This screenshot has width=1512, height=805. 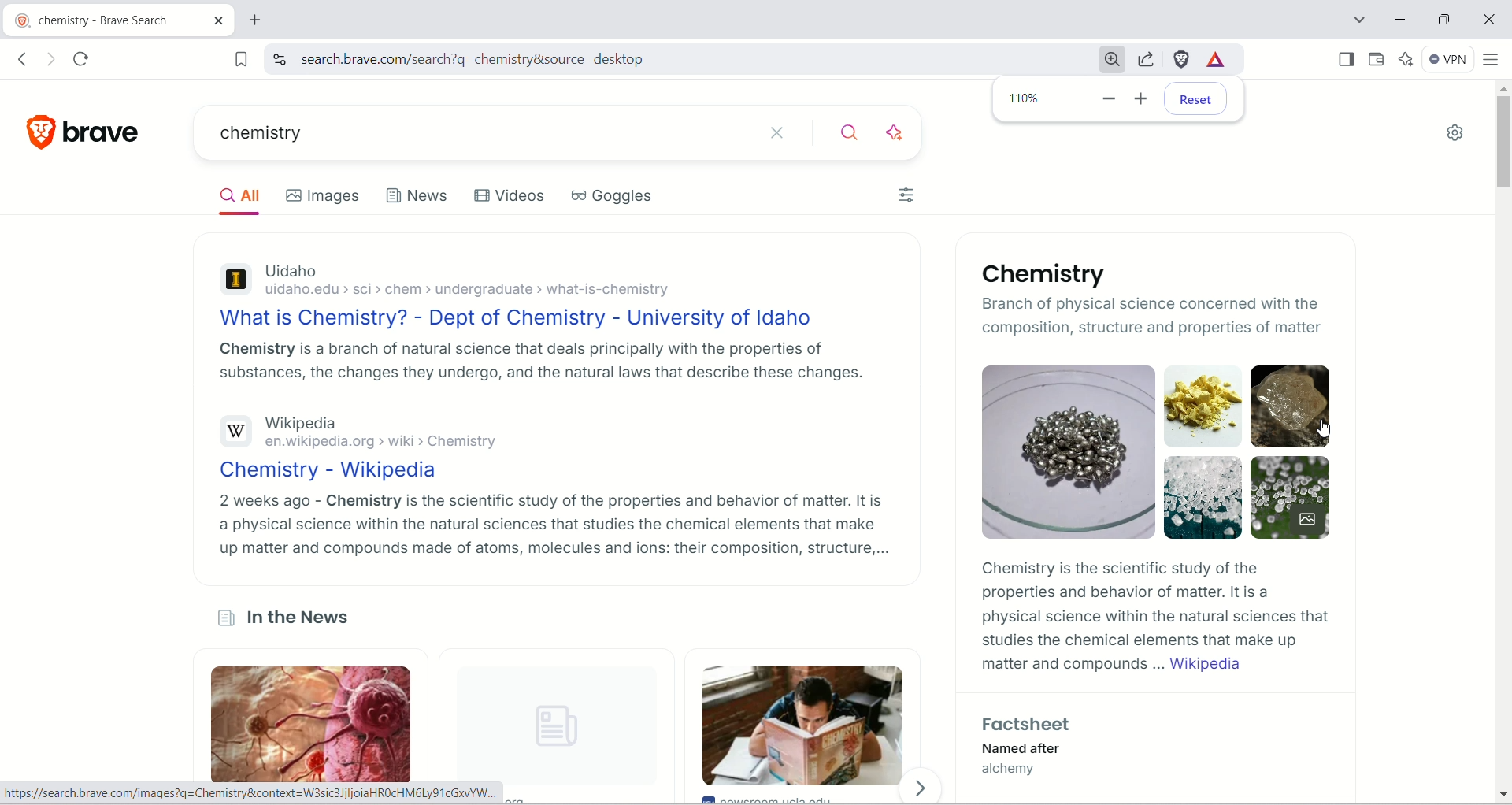 What do you see at coordinates (235, 432) in the screenshot?
I see `Wikipedia logo` at bounding box center [235, 432].